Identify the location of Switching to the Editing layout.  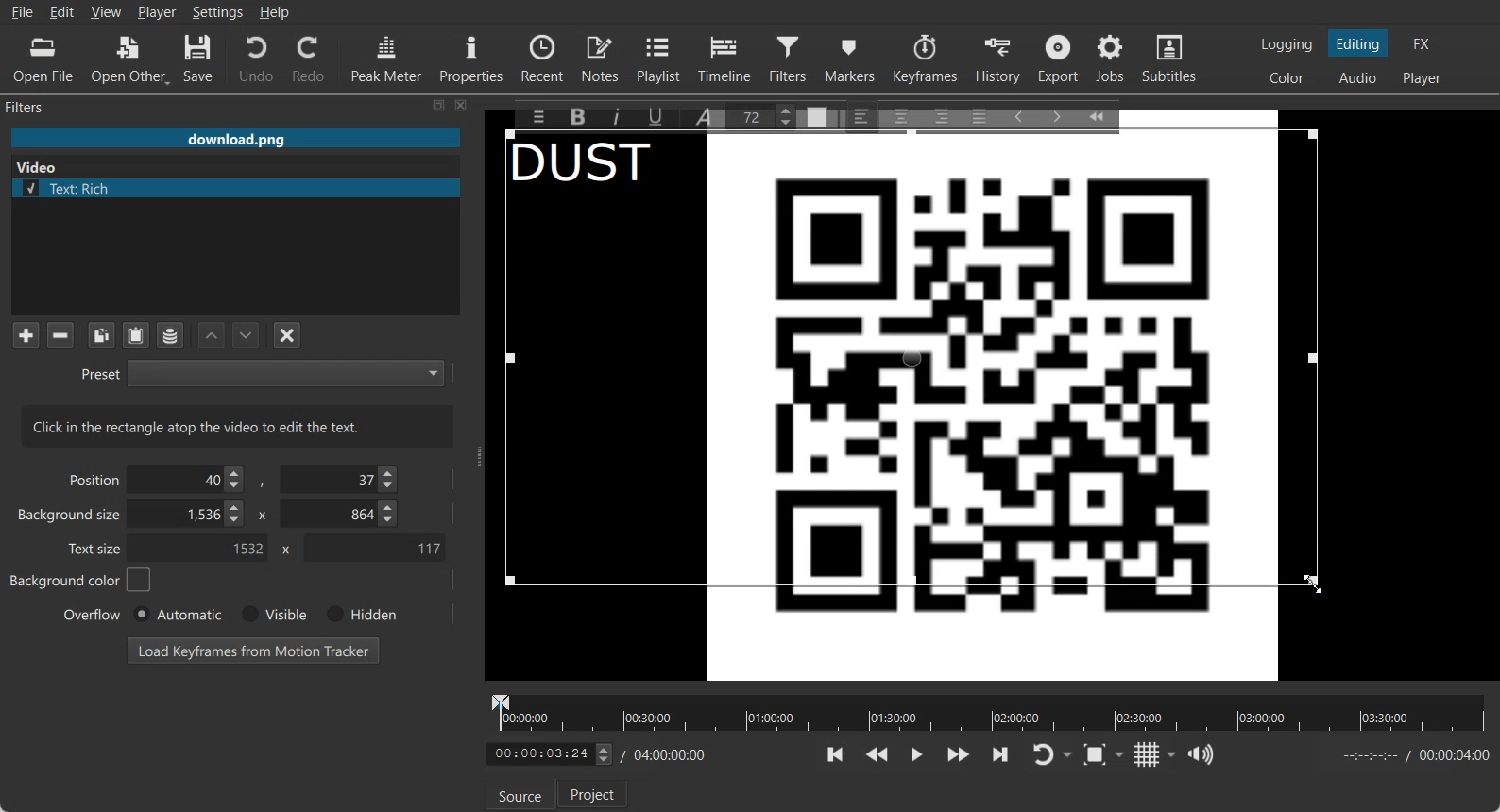
(1358, 44).